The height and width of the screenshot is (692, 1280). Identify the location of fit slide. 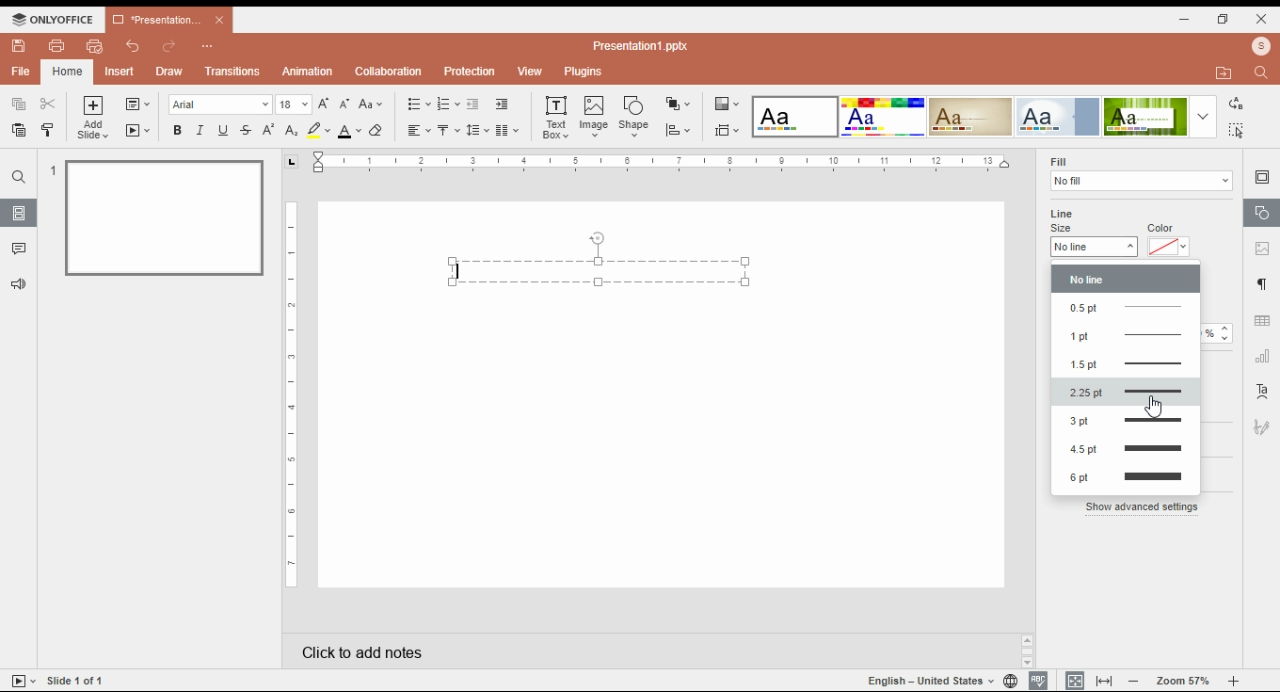
(1072, 680).